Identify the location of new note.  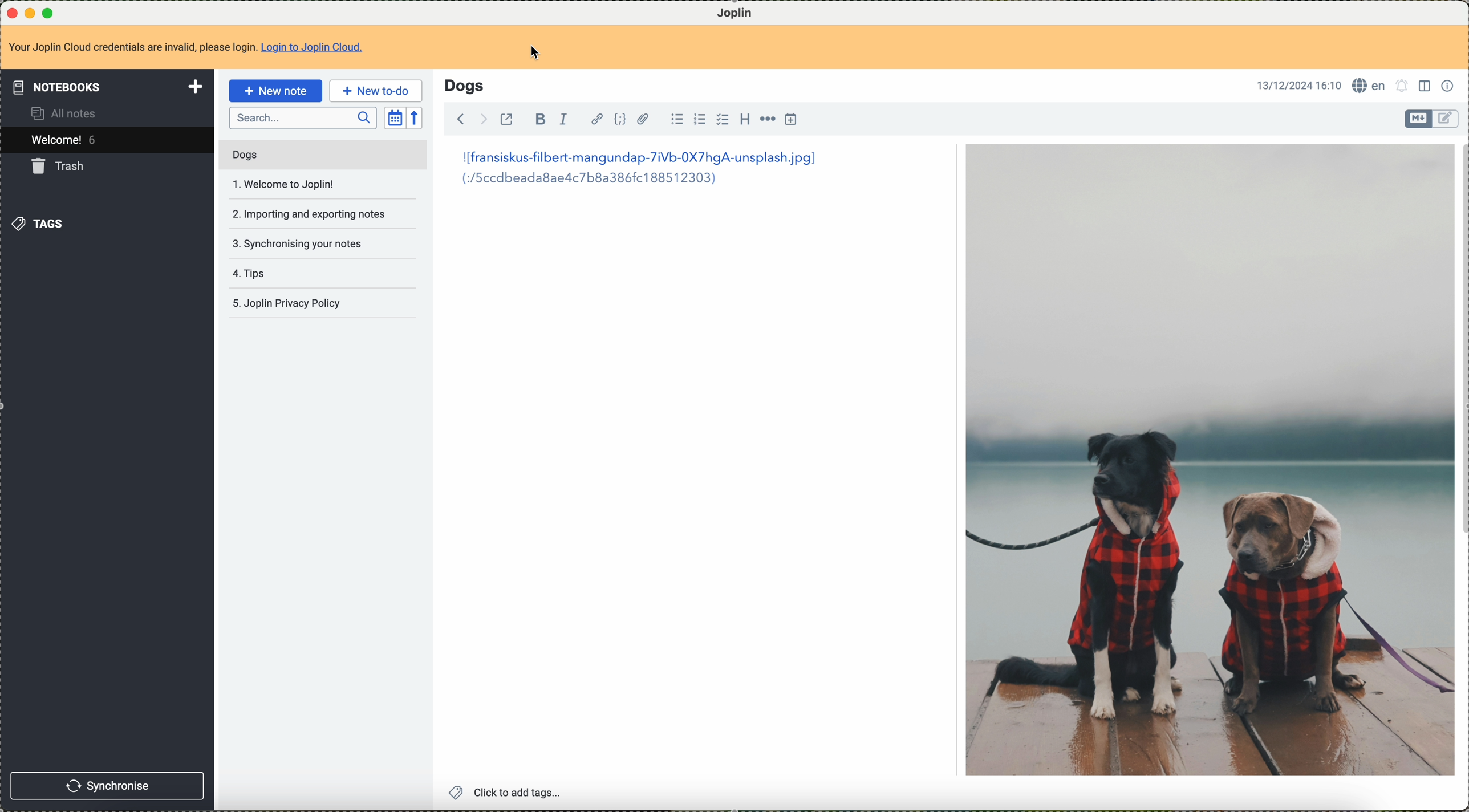
(274, 90).